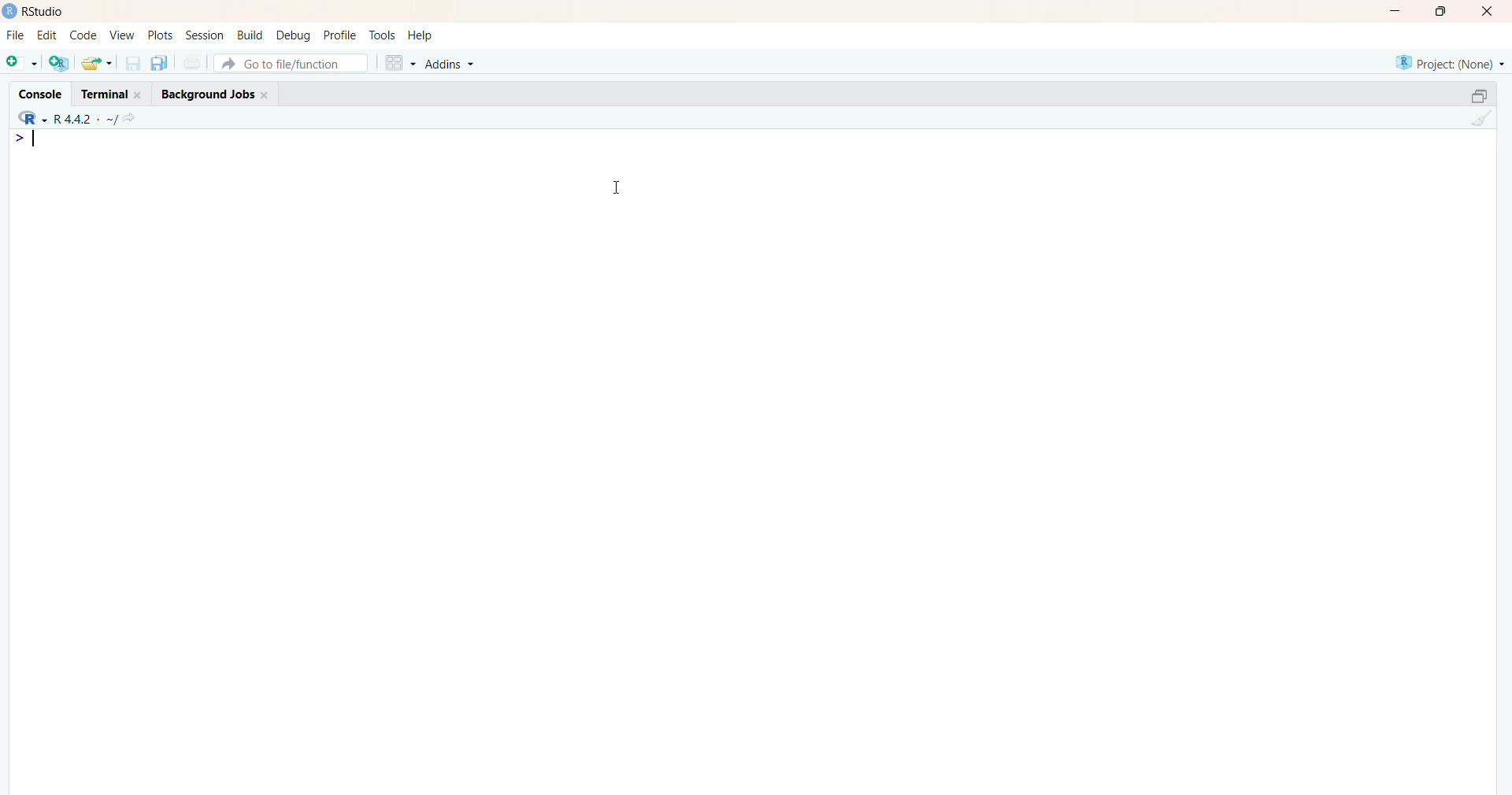  Describe the element at coordinates (382, 35) in the screenshot. I see `tools` at that location.